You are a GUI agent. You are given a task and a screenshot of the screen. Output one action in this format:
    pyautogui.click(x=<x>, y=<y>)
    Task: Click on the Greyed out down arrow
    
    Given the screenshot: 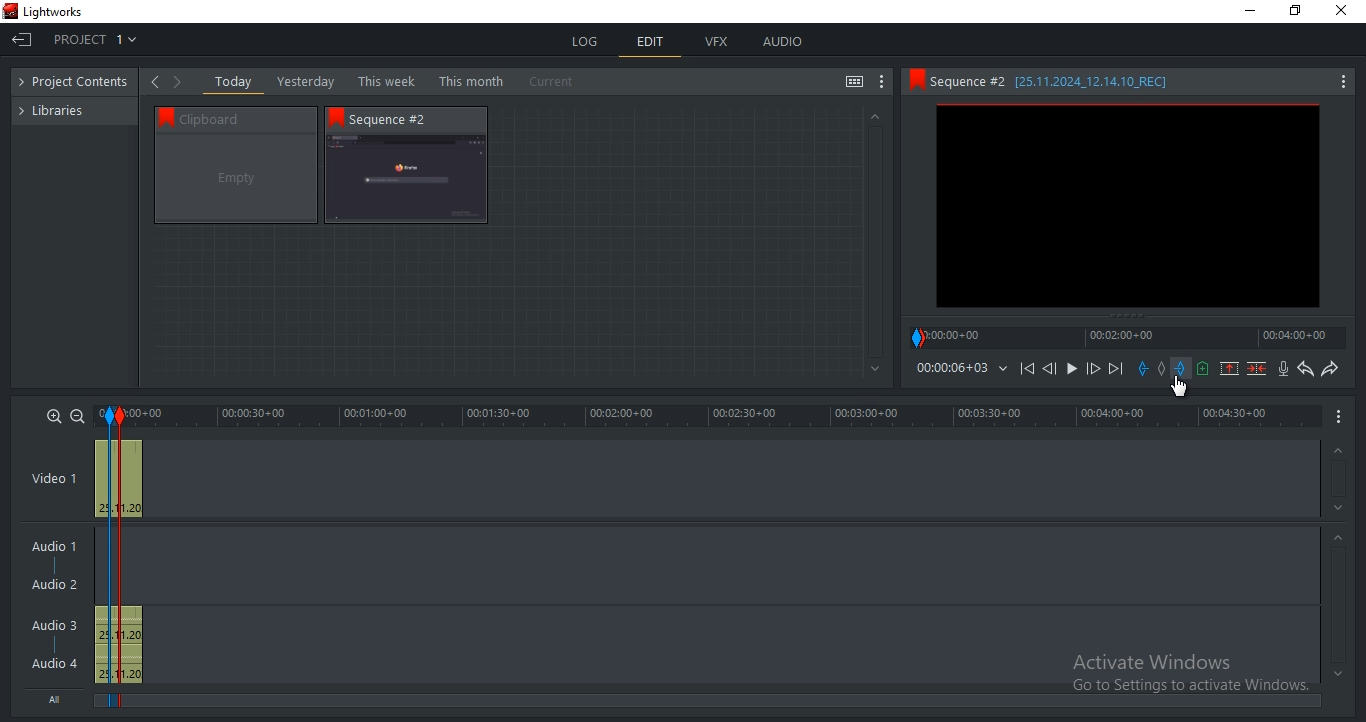 What is the action you would take?
    pyautogui.click(x=876, y=370)
    